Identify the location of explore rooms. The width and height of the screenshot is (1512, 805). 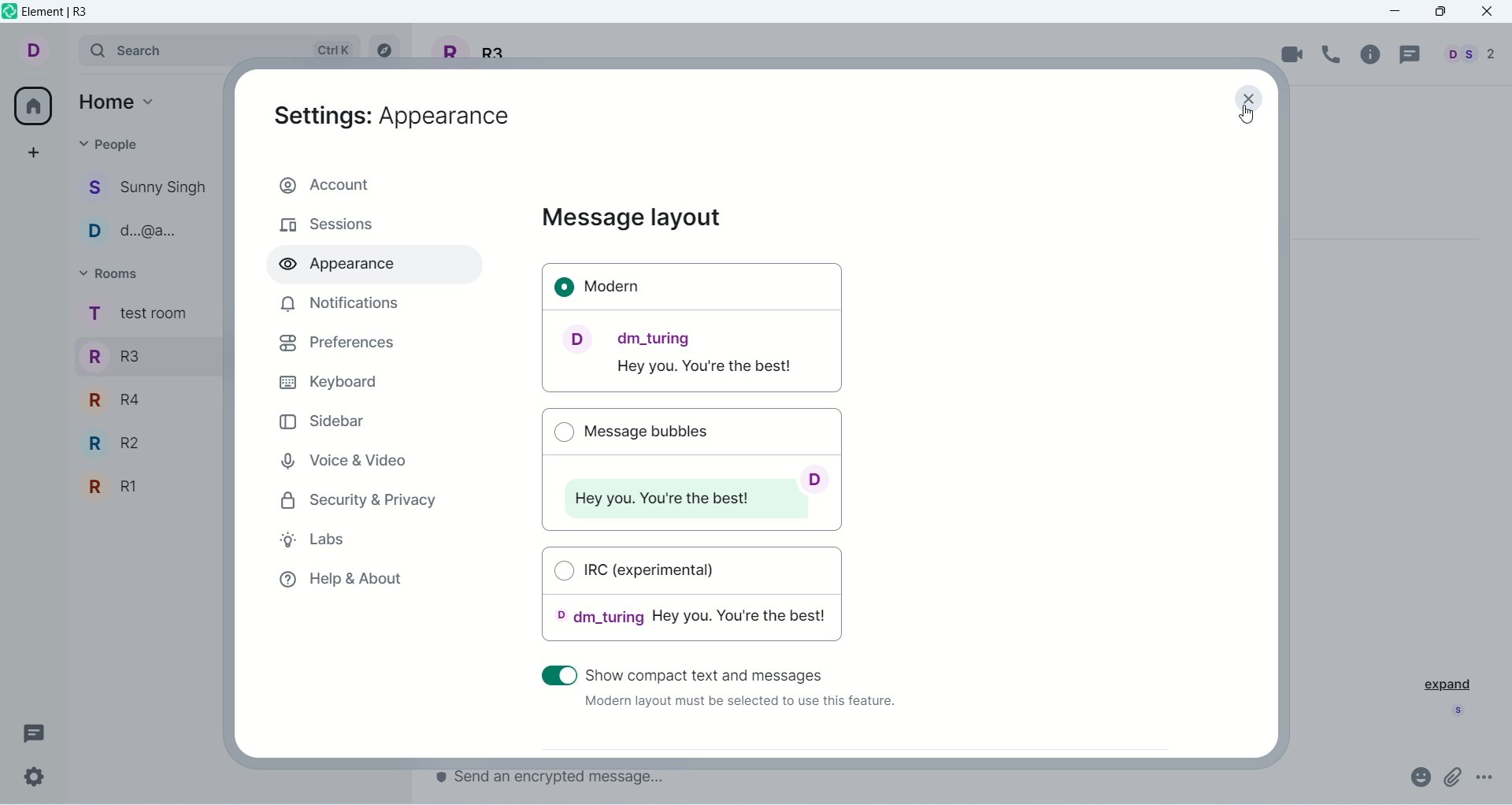
(387, 50).